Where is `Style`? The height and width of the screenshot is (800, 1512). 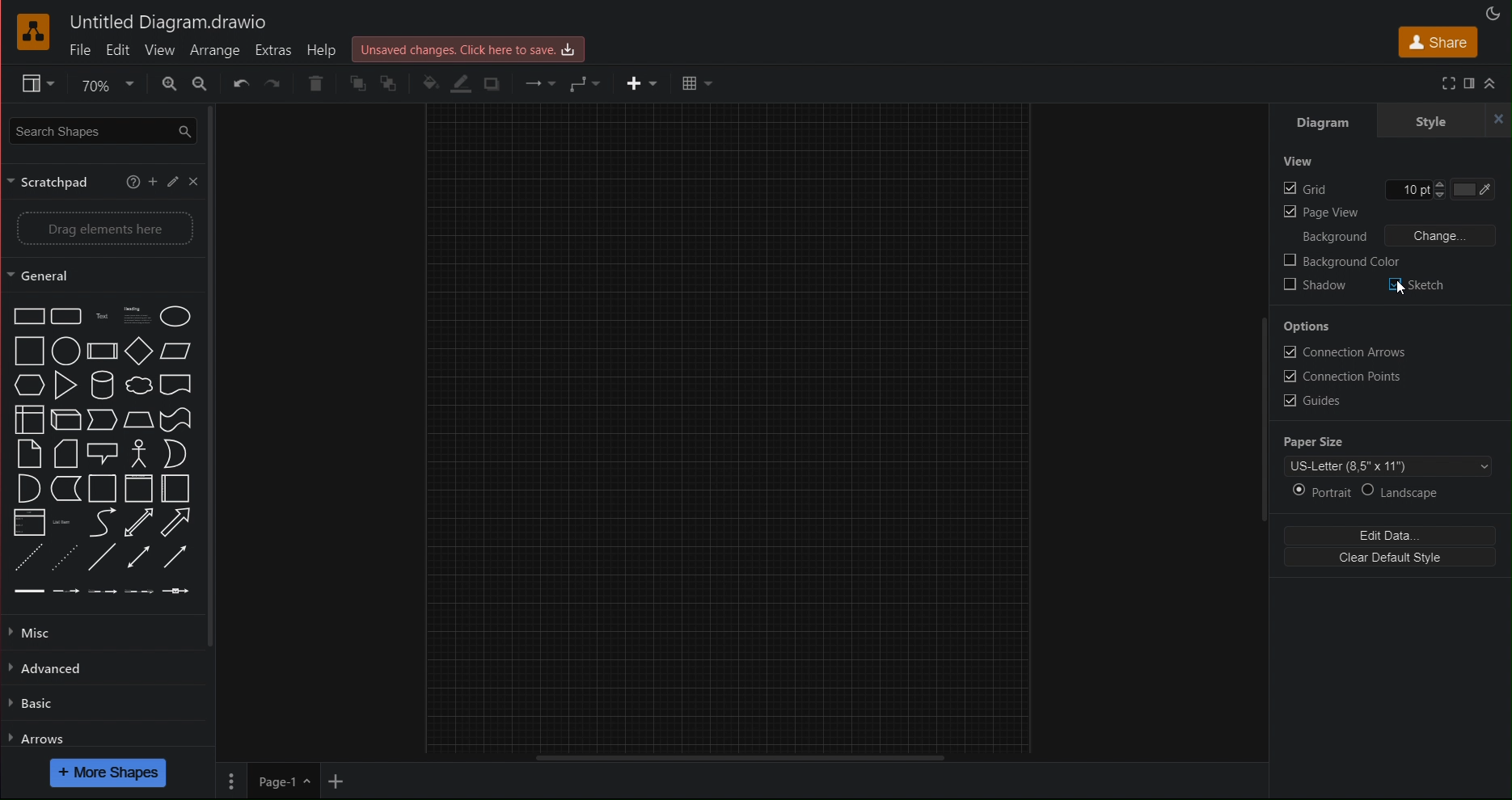 Style is located at coordinates (1432, 121).